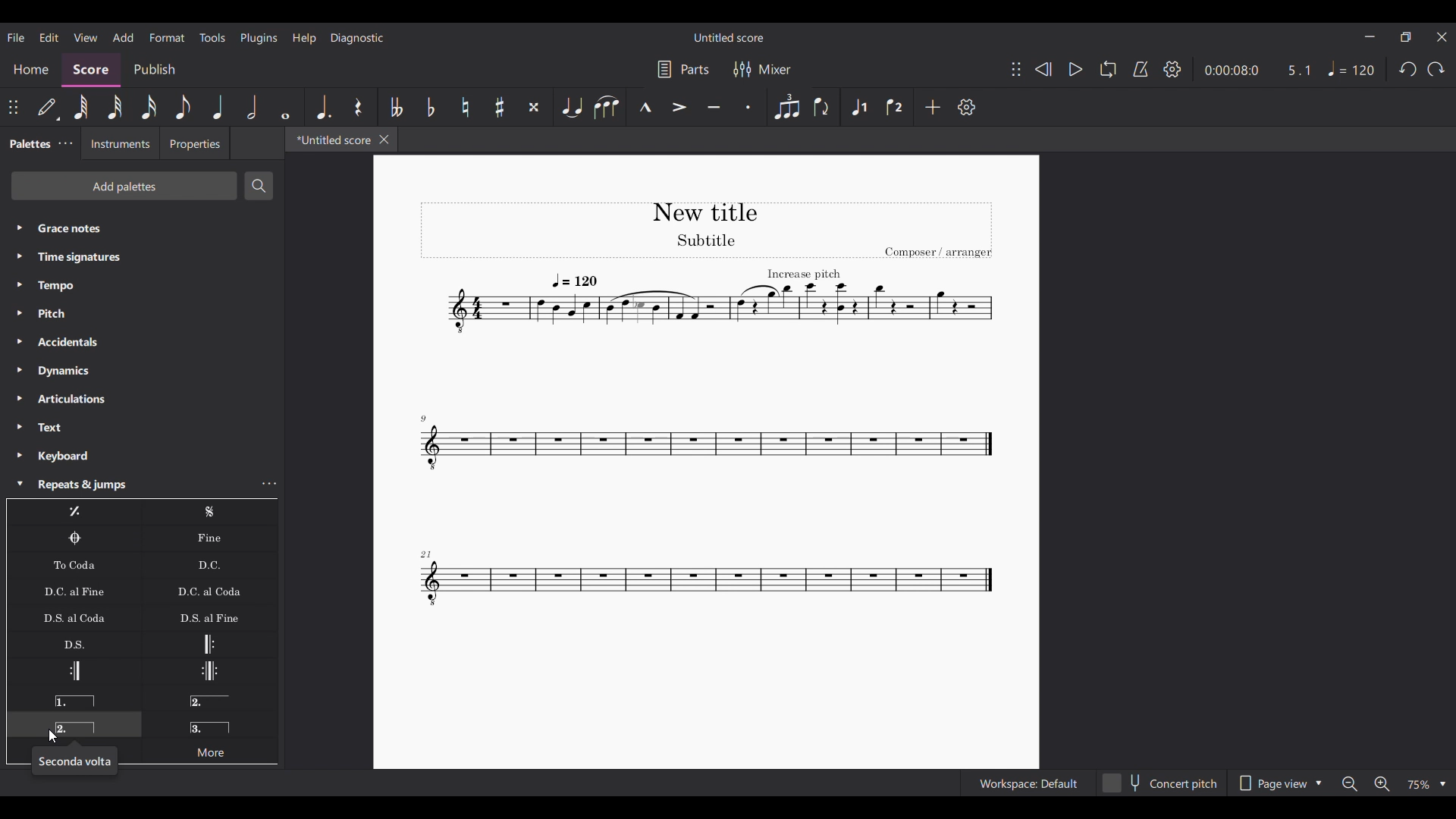 The height and width of the screenshot is (819, 1456). I want to click on Rewind, so click(1043, 70).